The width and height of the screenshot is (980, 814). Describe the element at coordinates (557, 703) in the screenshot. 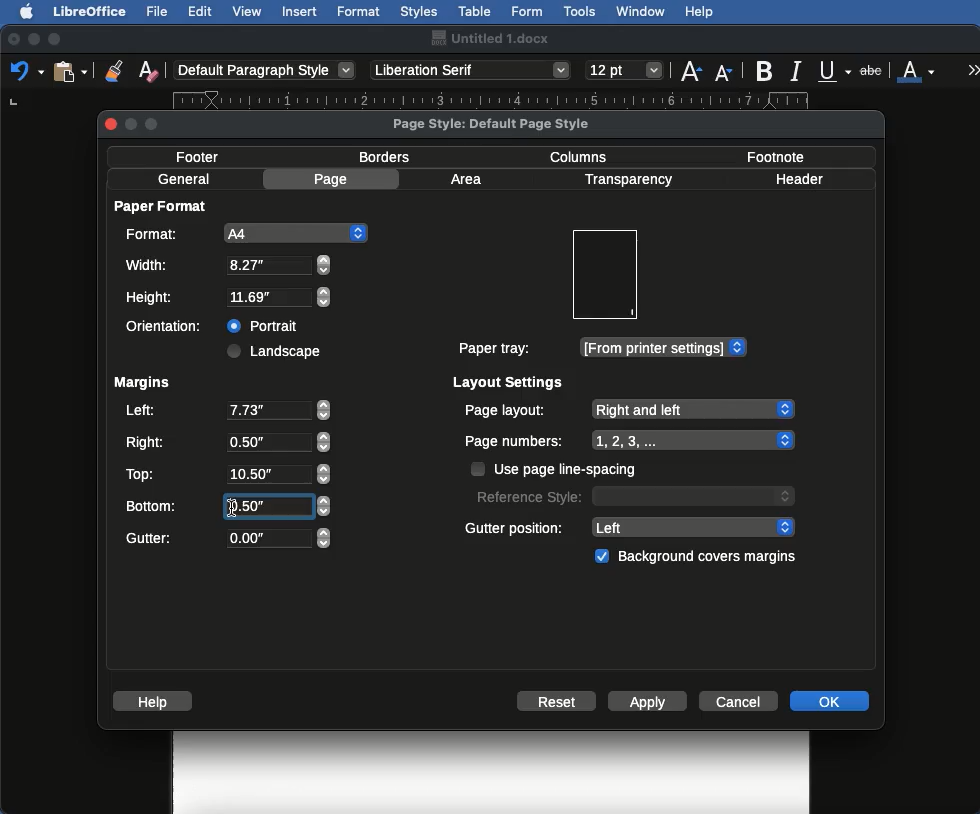

I see `Reset` at that location.